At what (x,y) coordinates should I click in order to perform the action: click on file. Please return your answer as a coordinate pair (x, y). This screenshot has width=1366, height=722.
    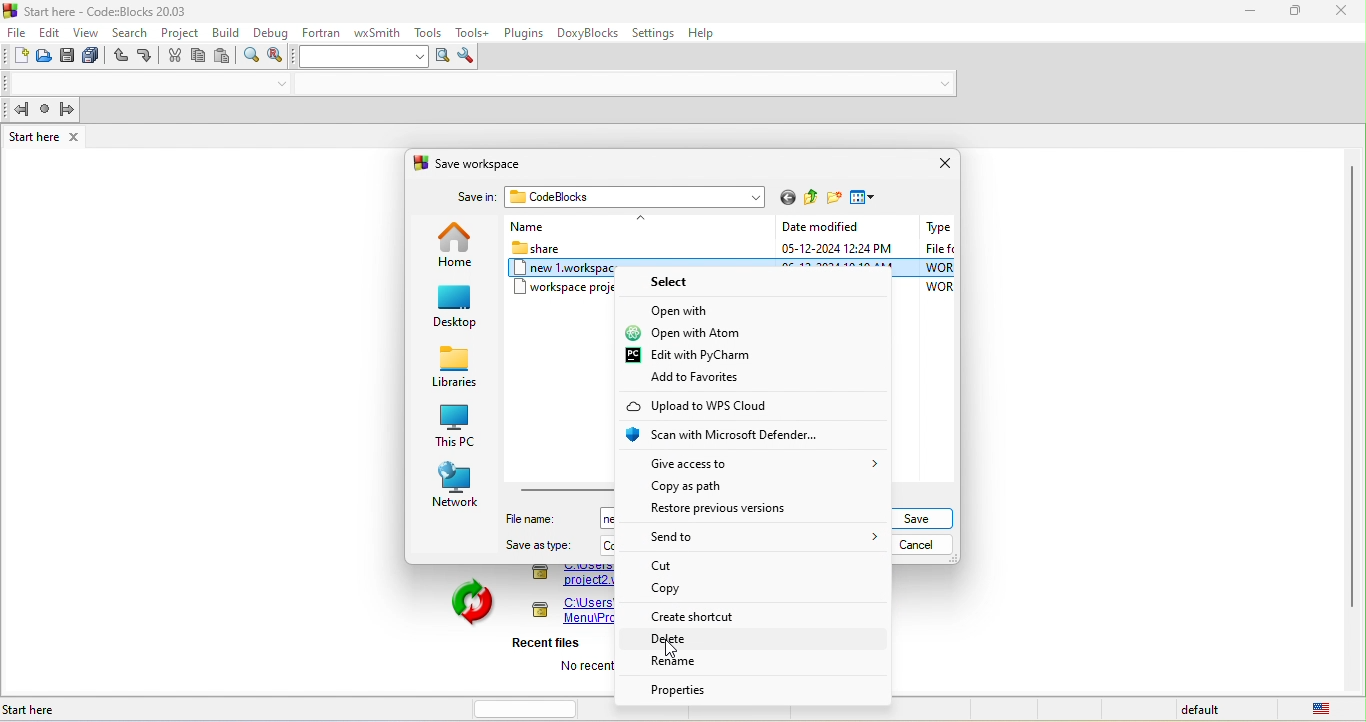
    Looking at the image, I should click on (17, 31).